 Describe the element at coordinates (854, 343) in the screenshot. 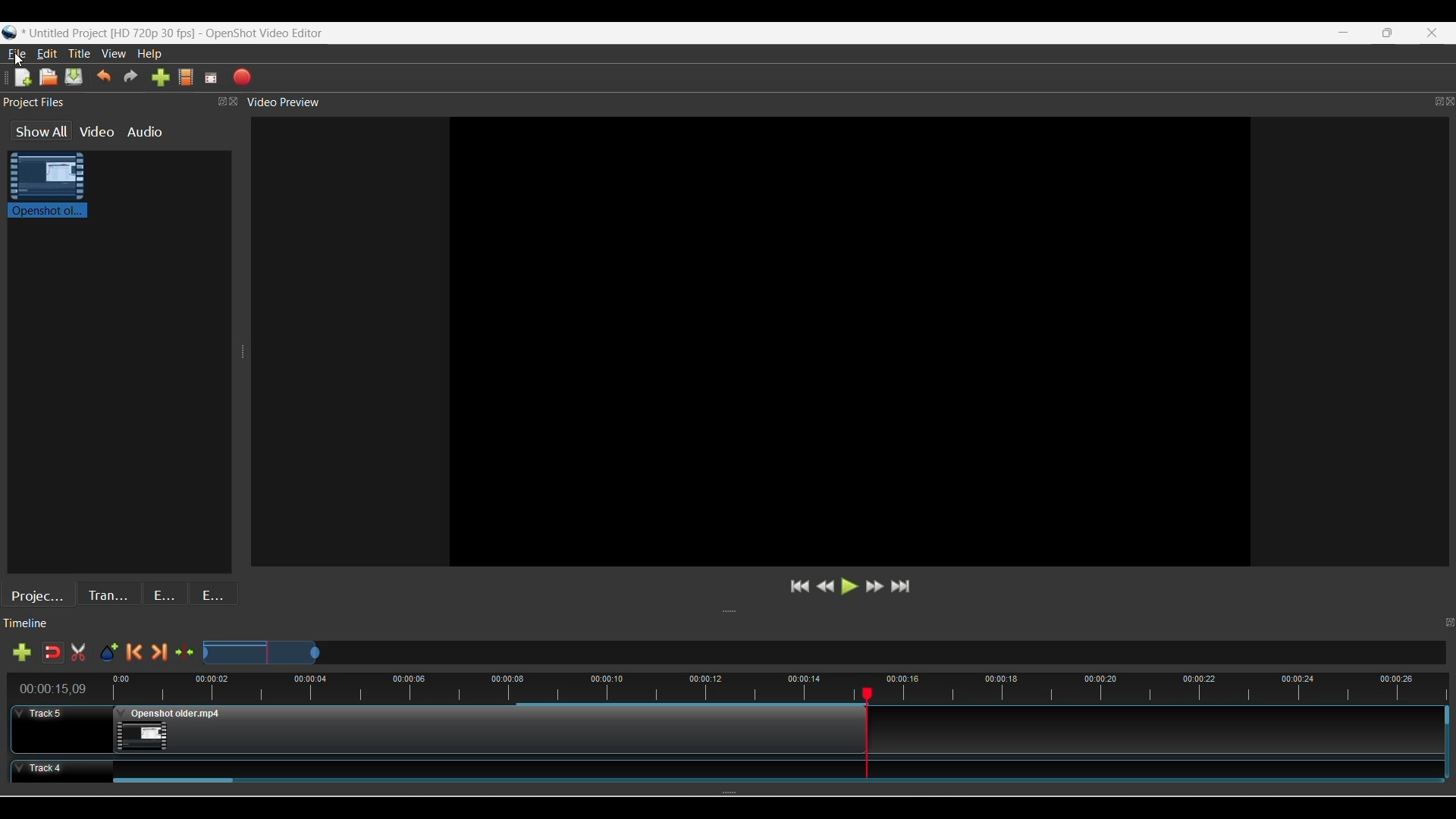

I see `Preview Window` at that location.